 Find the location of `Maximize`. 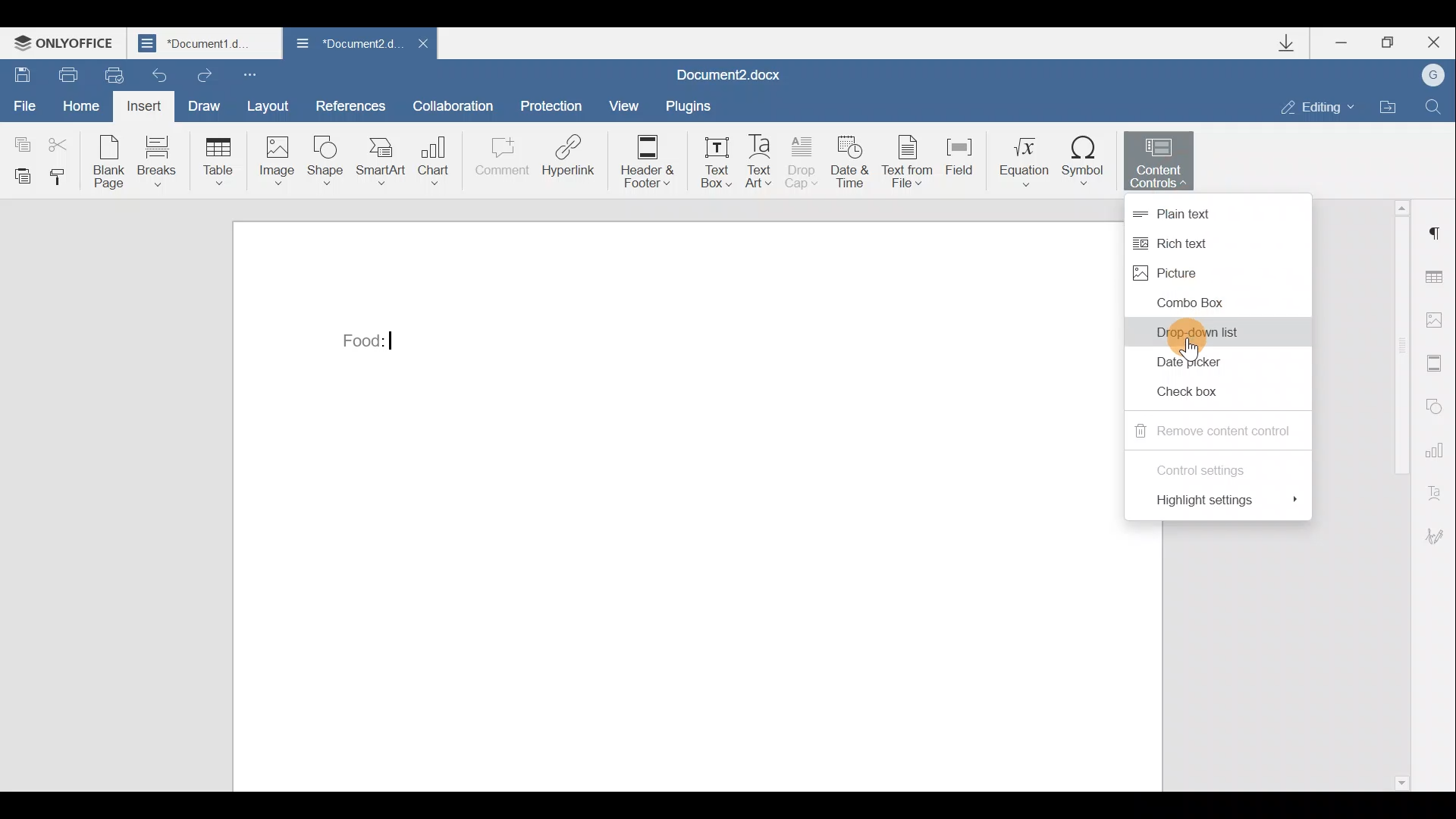

Maximize is located at coordinates (1389, 43).